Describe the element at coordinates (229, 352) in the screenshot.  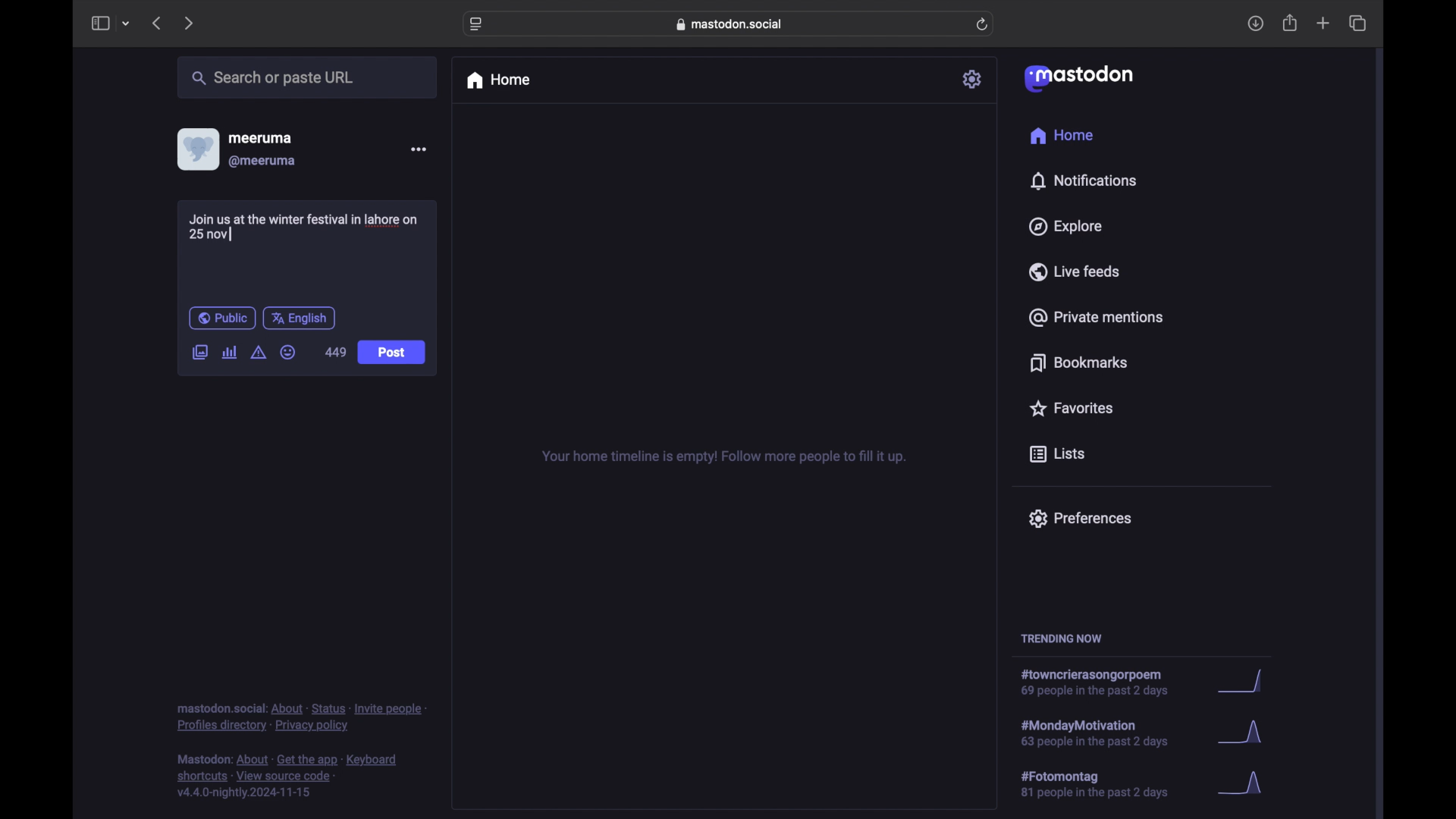
I see `add  poll` at that location.